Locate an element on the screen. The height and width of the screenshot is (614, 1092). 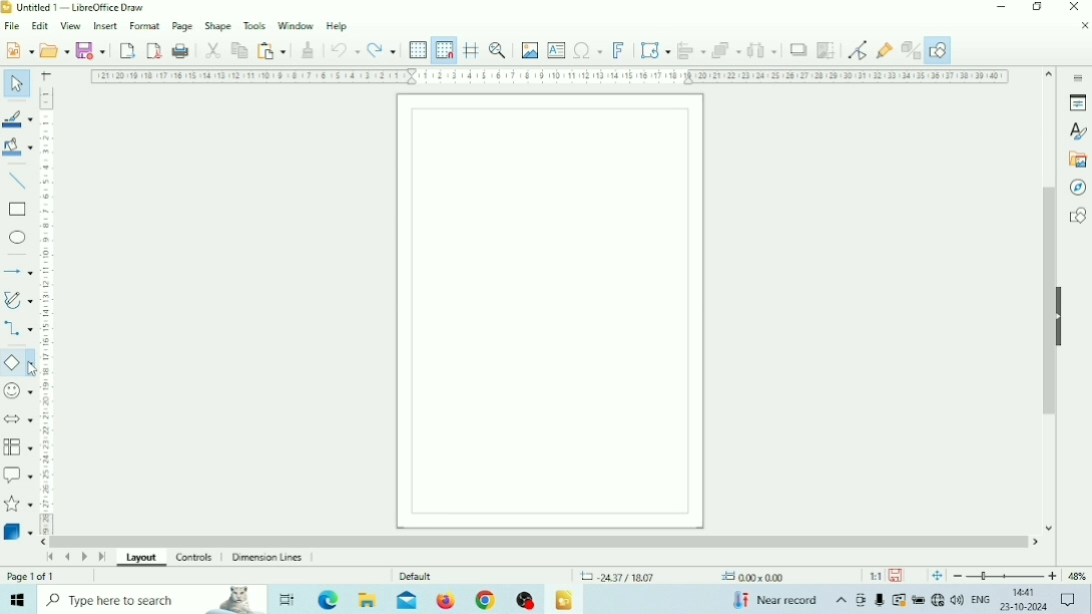
Google Chrome is located at coordinates (484, 600).